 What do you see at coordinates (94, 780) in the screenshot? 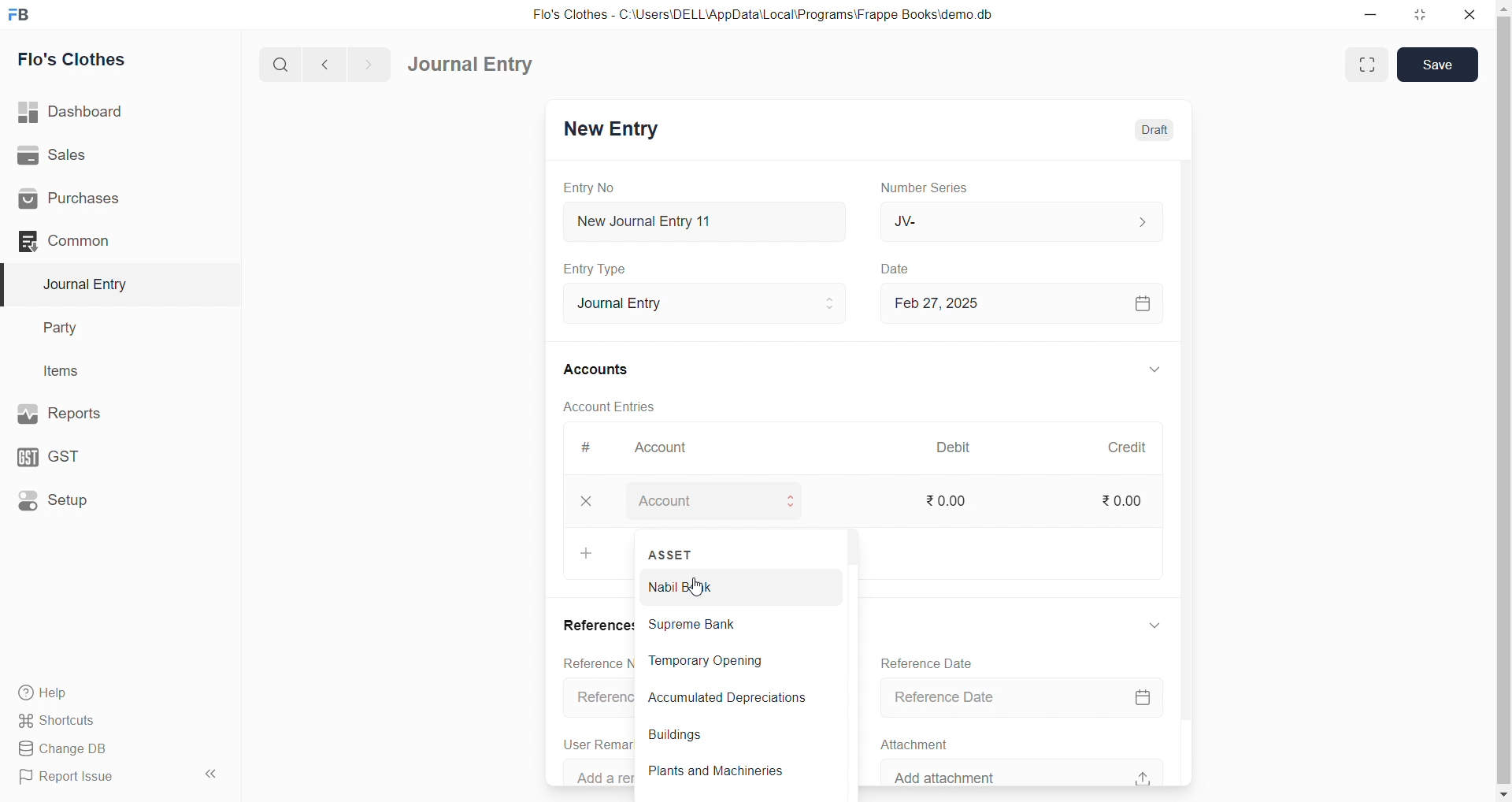
I see `Report Issue` at bounding box center [94, 780].